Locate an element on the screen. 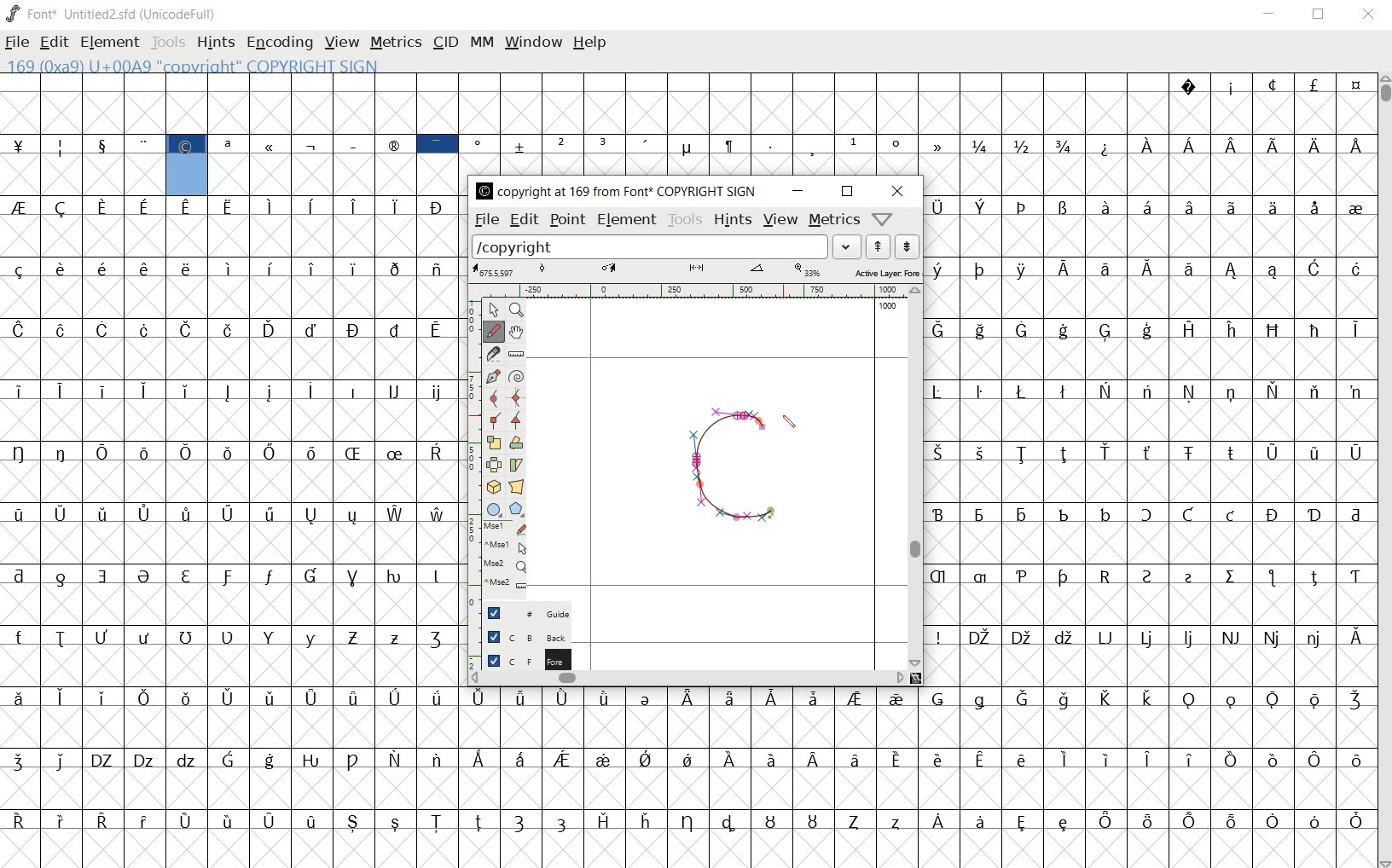  metrics is located at coordinates (395, 42).